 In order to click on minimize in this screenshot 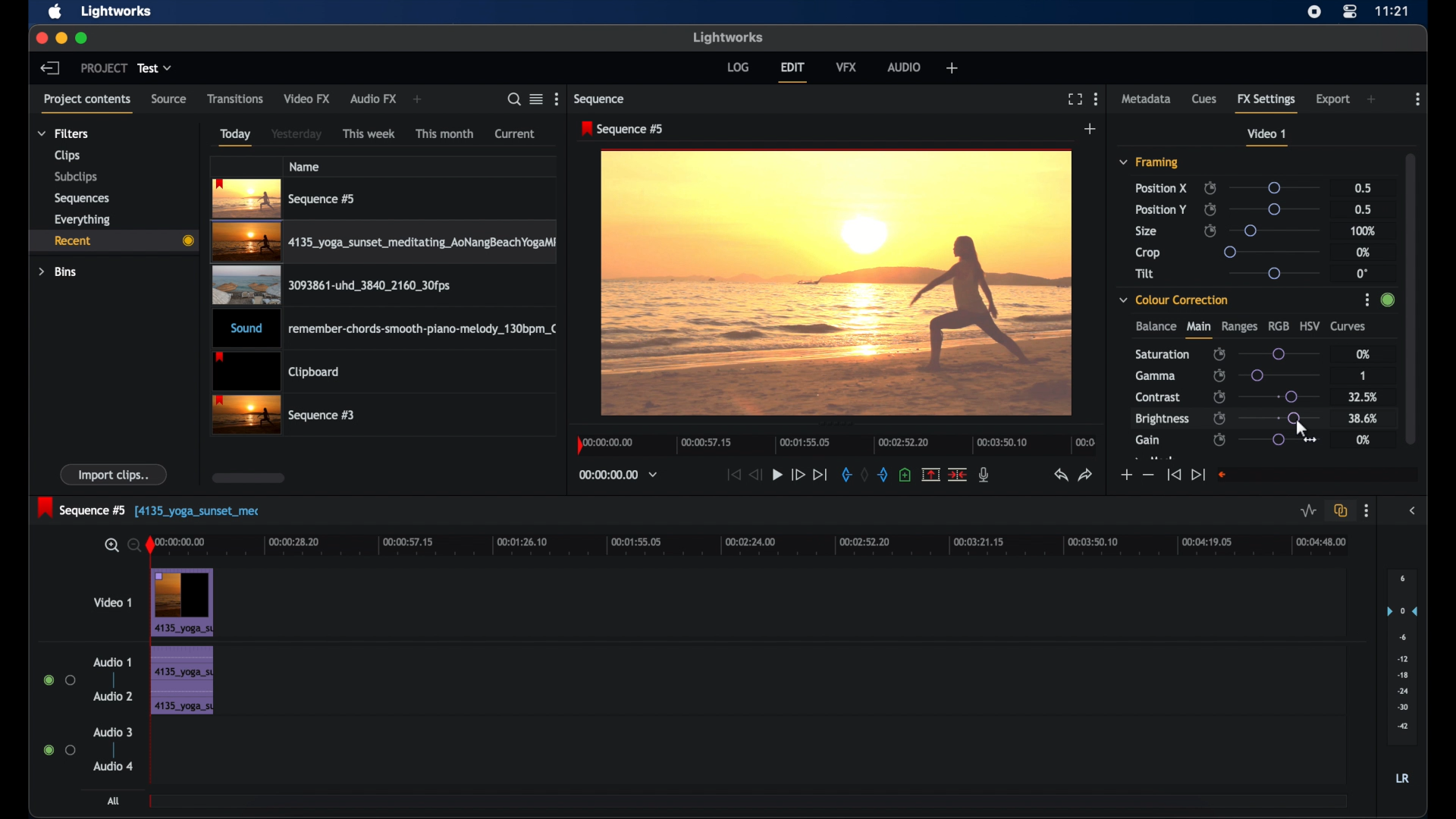, I will do `click(63, 38)`.